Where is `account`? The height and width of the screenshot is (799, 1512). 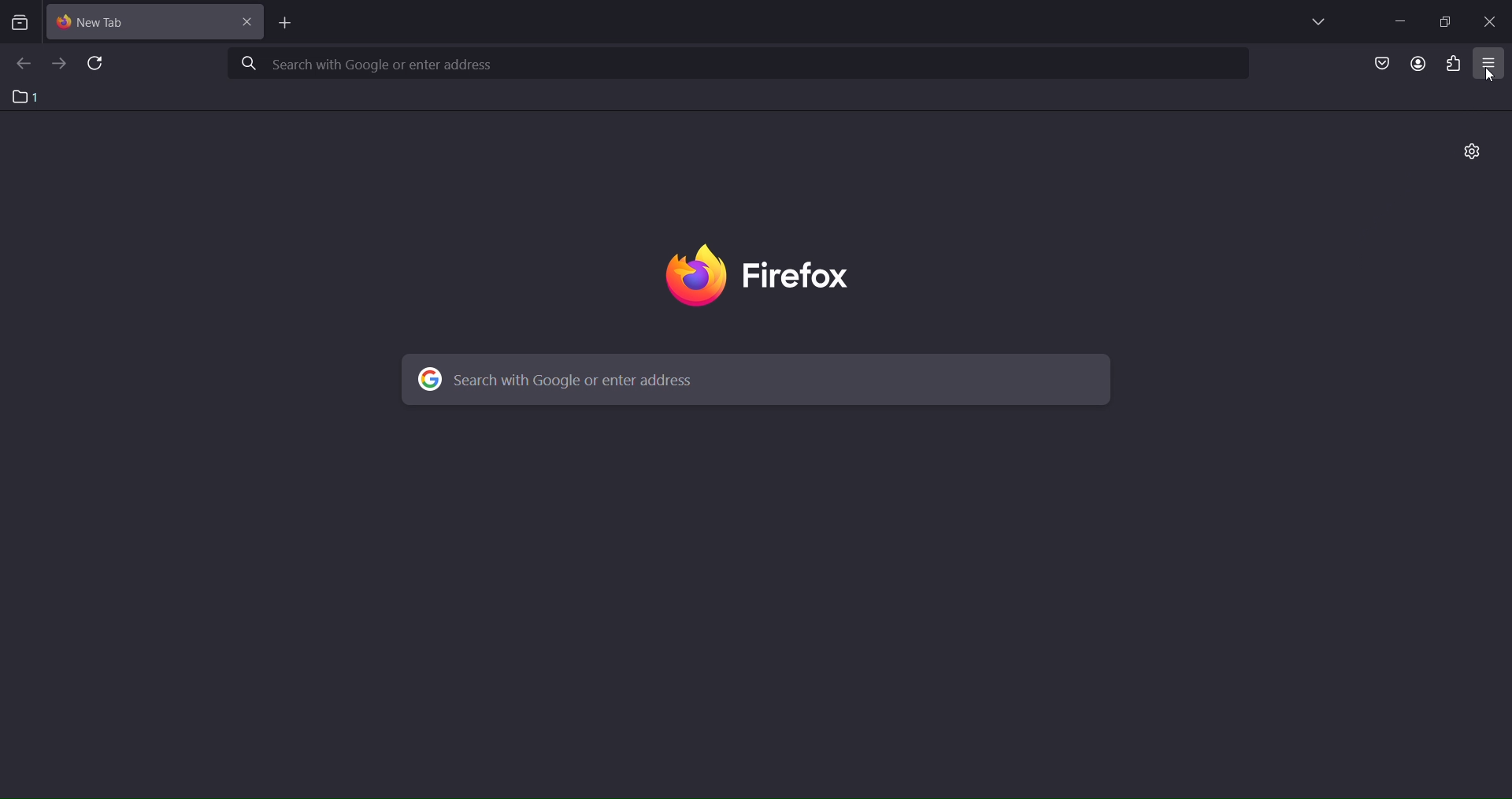 account is located at coordinates (1419, 63).